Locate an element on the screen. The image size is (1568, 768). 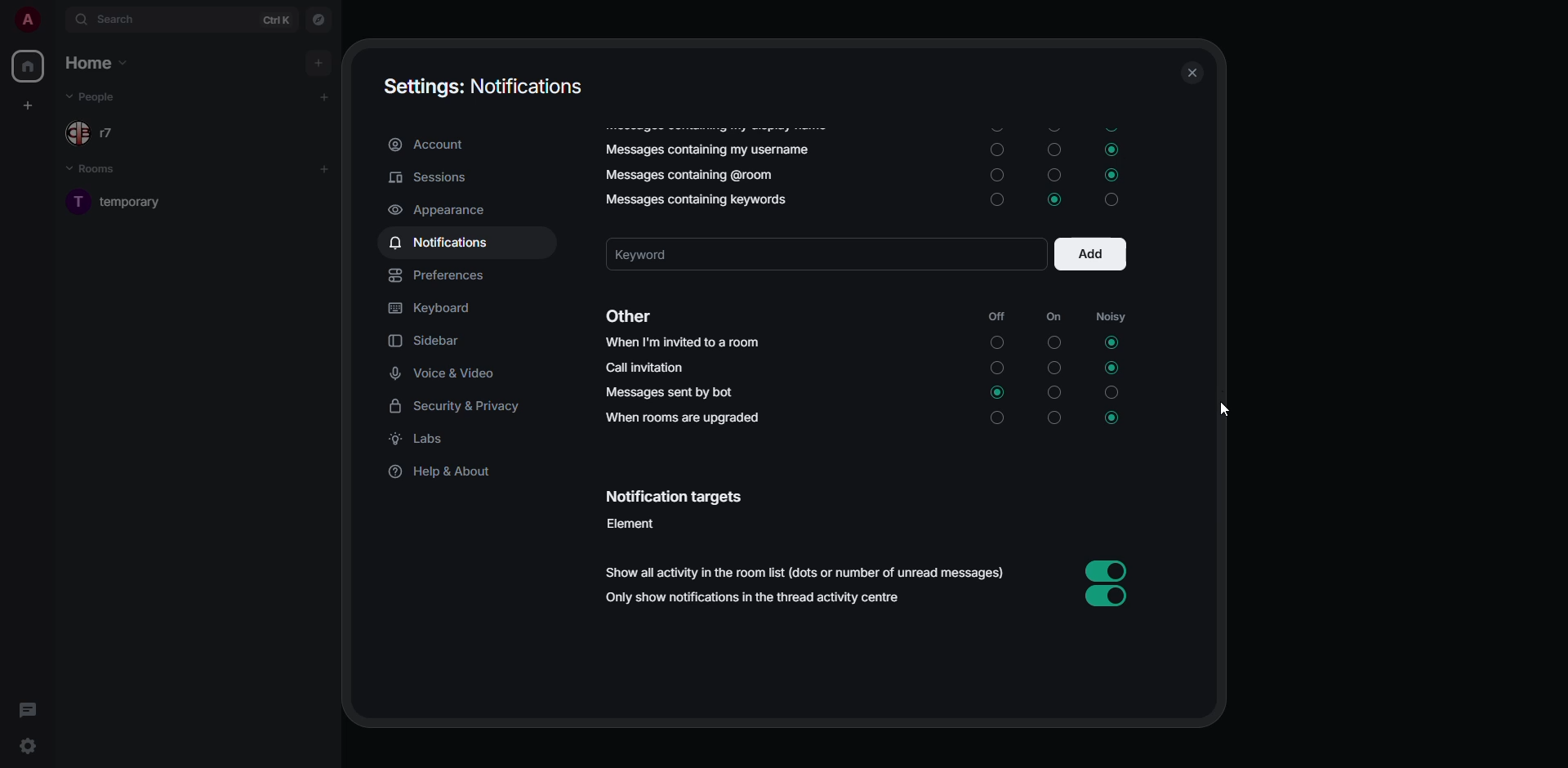
expand is located at coordinates (54, 20).